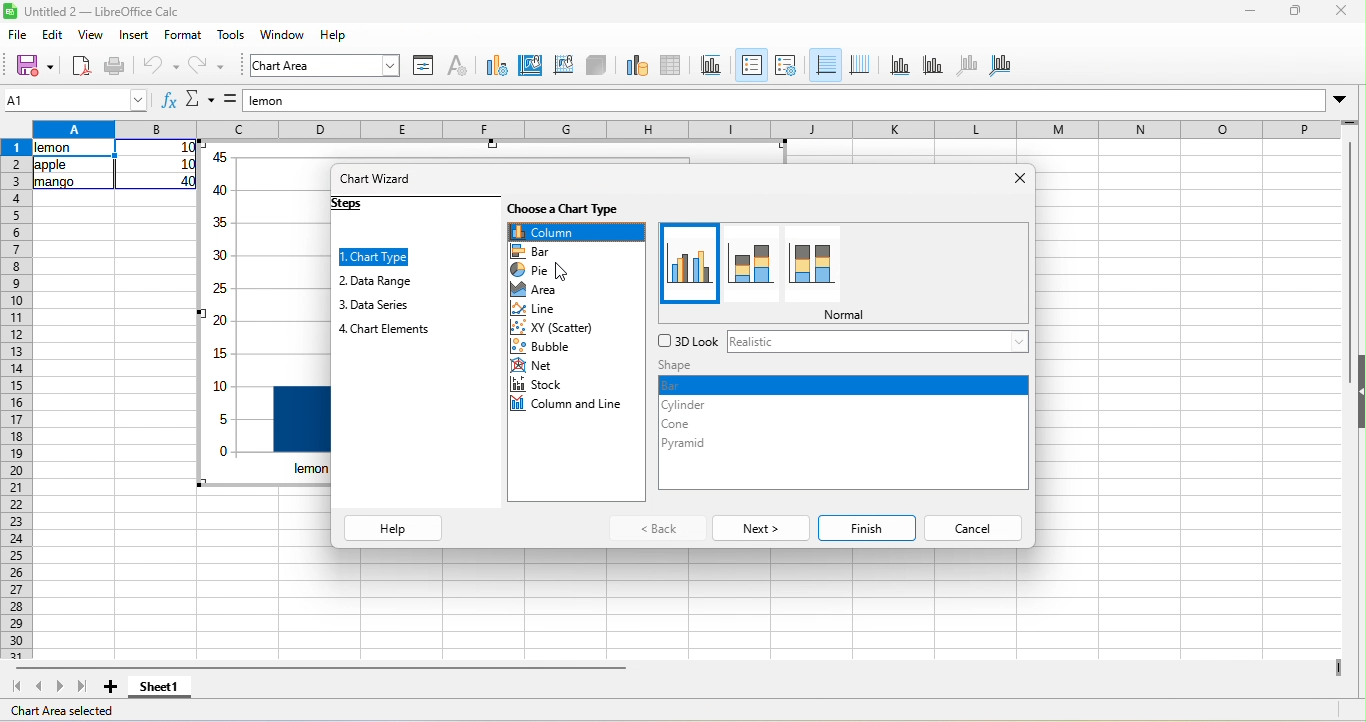 The width and height of the screenshot is (1366, 722). I want to click on legend, so click(794, 65).